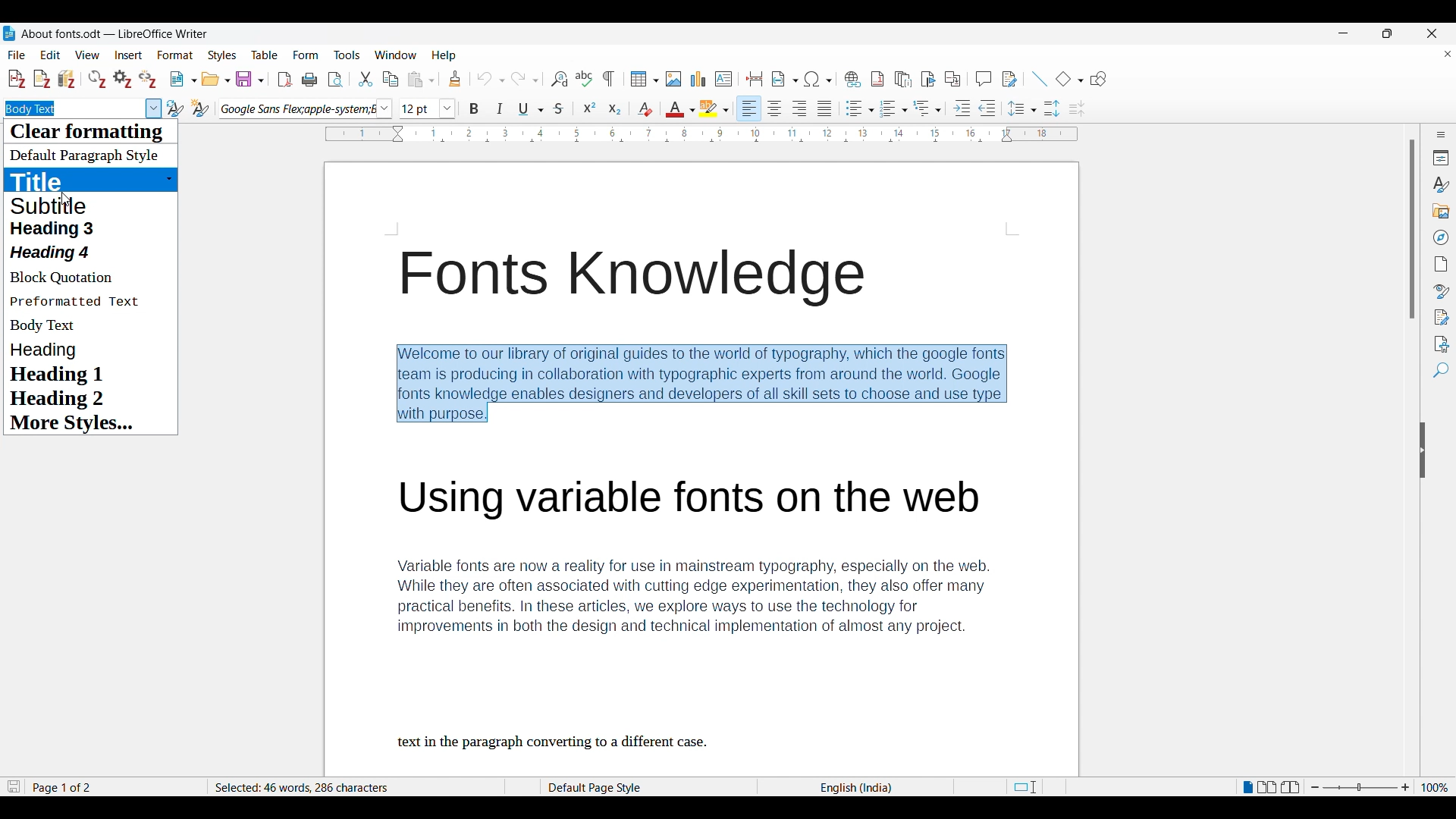 The height and width of the screenshot is (819, 1456). I want to click on Minimize, so click(1343, 33).